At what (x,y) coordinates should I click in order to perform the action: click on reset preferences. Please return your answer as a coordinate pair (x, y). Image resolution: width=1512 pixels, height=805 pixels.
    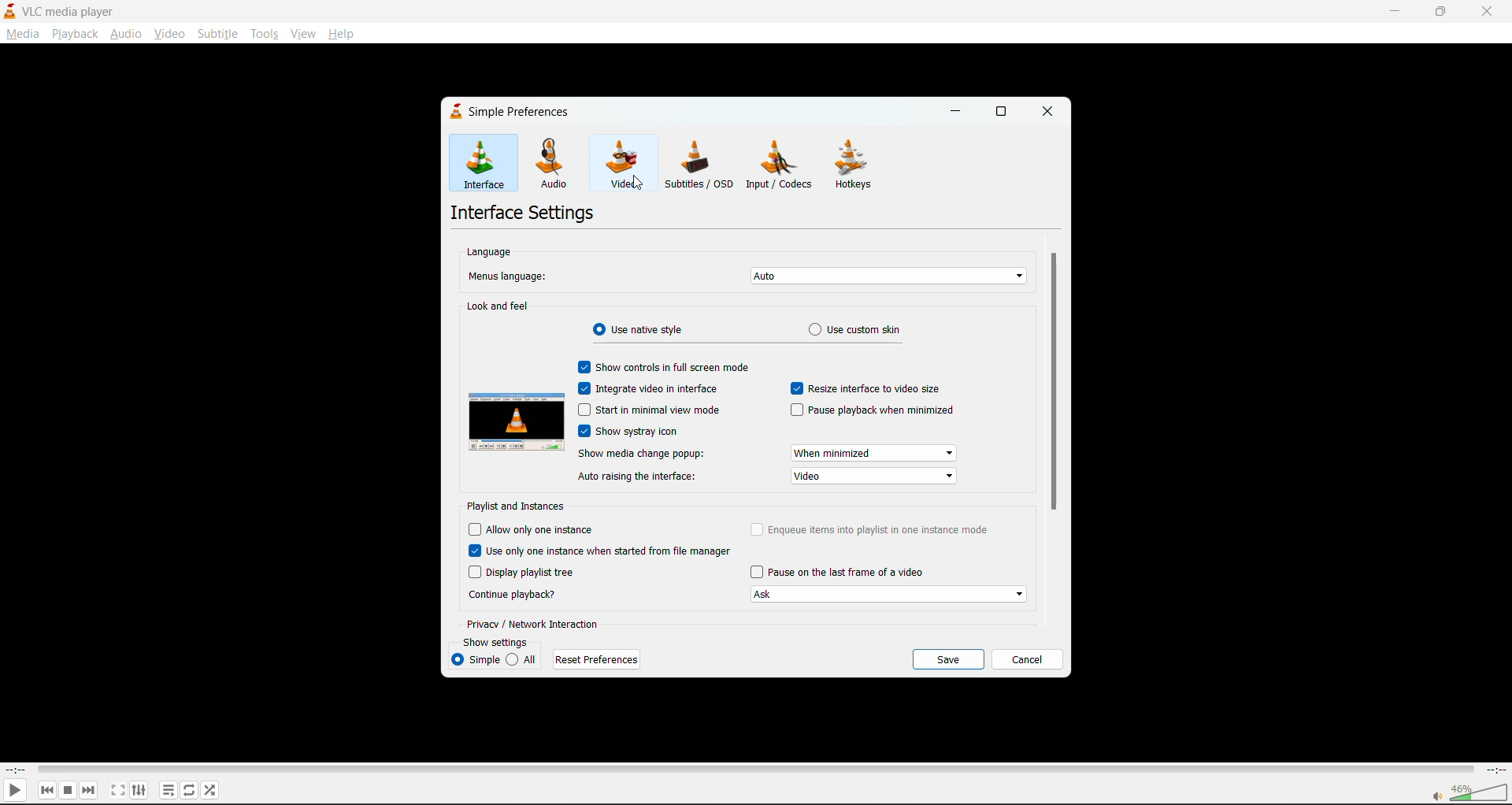
    Looking at the image, I should click on (598, 656).